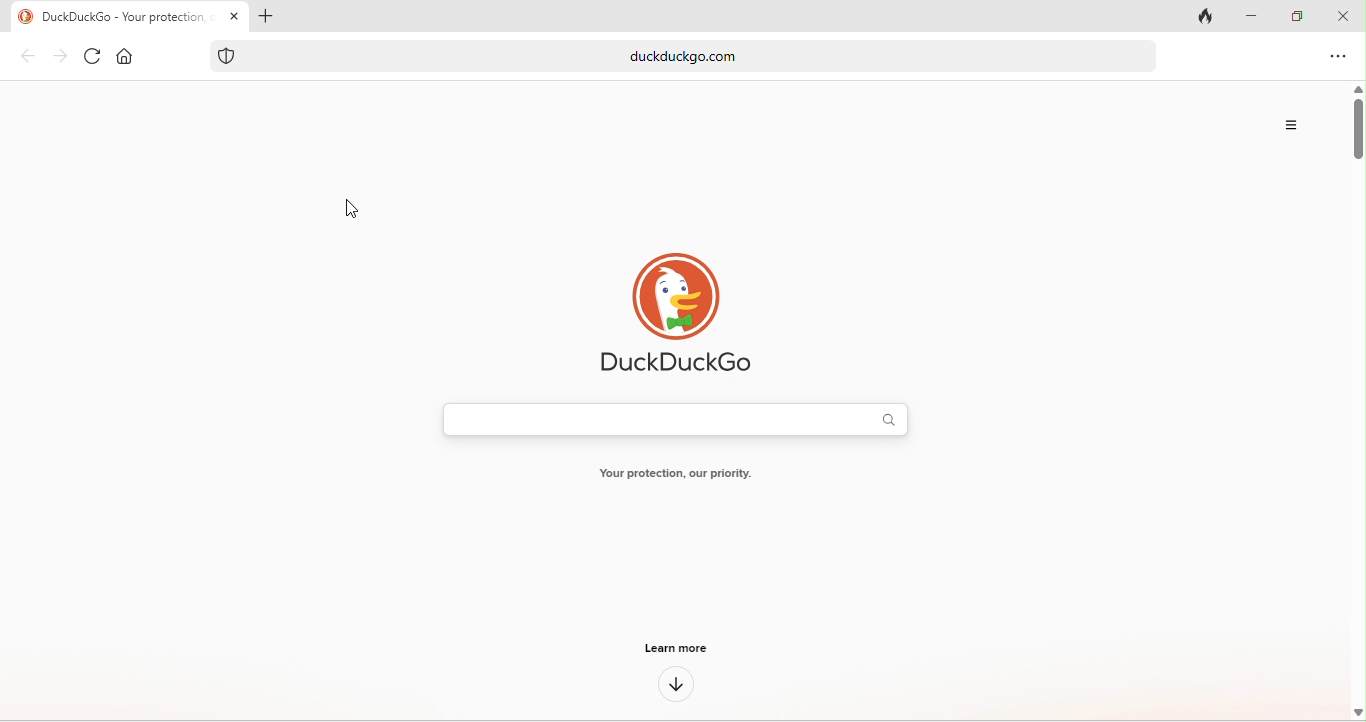  Describe the element at coordinates (124, 17) in the screenshot. I see `@ DuckDuckGo - Your protection ` at that location.